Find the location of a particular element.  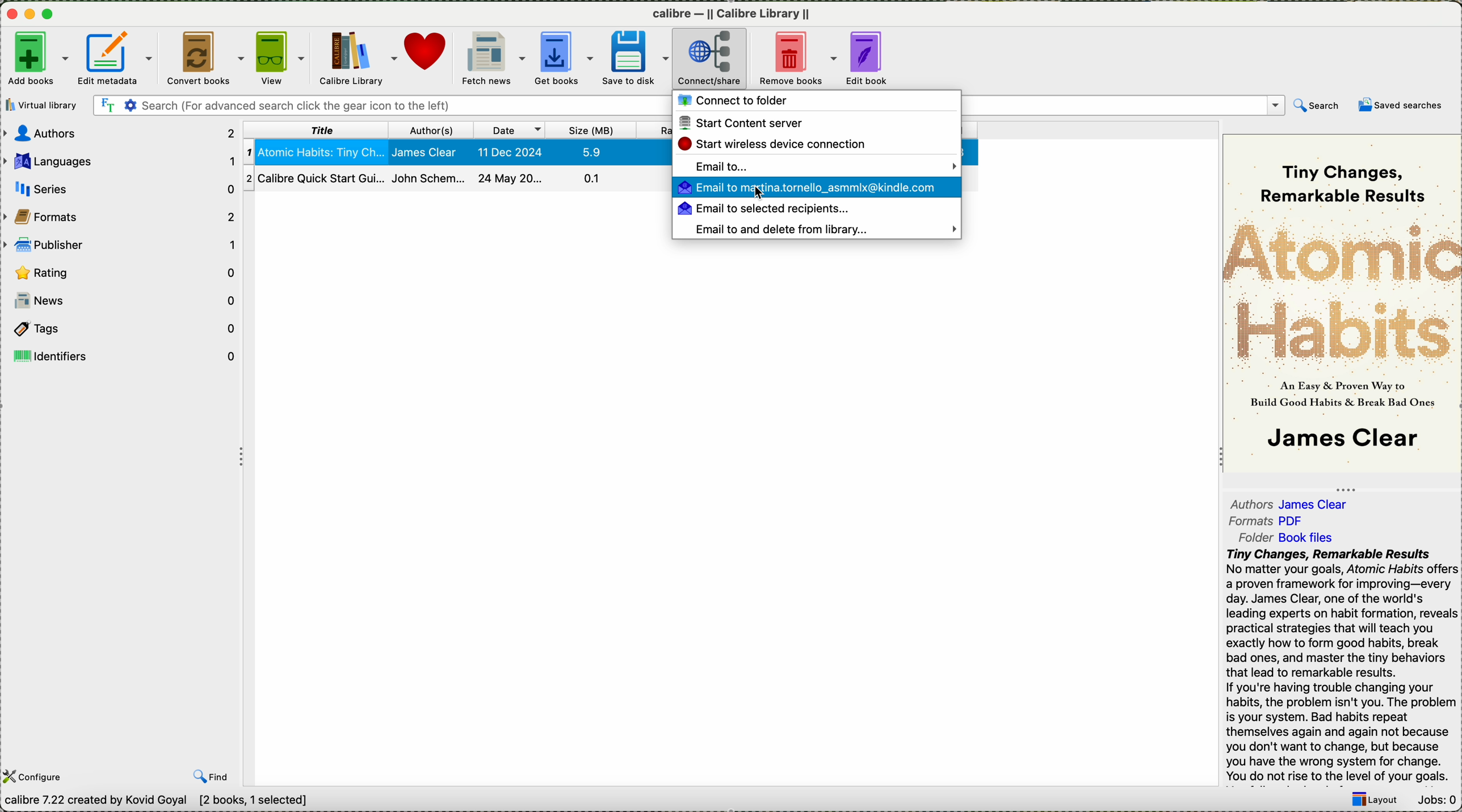

remove books is located at coordinates (797, 59).